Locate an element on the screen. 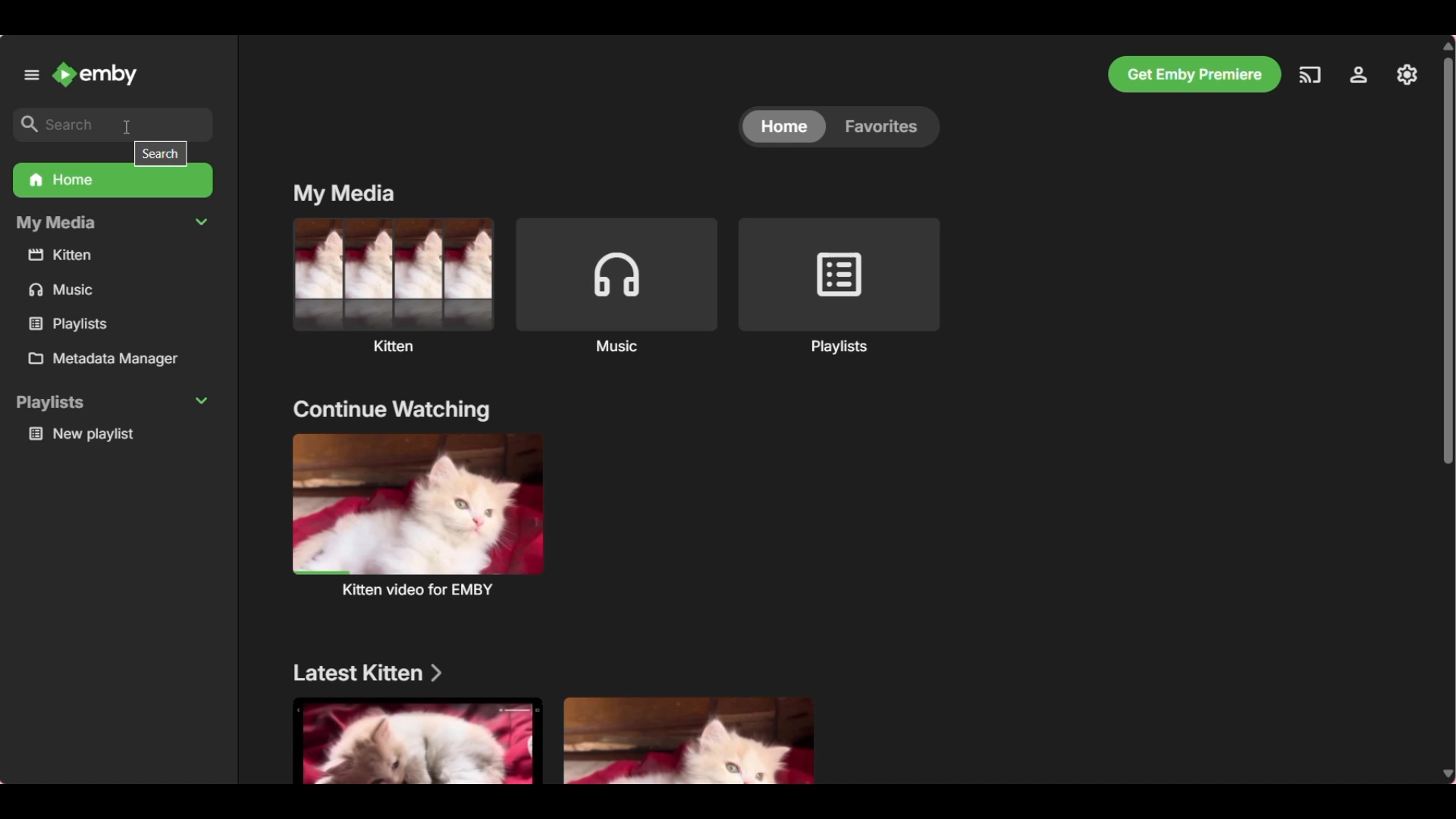  Manage Emby server is located at coordinates (1361, 73).